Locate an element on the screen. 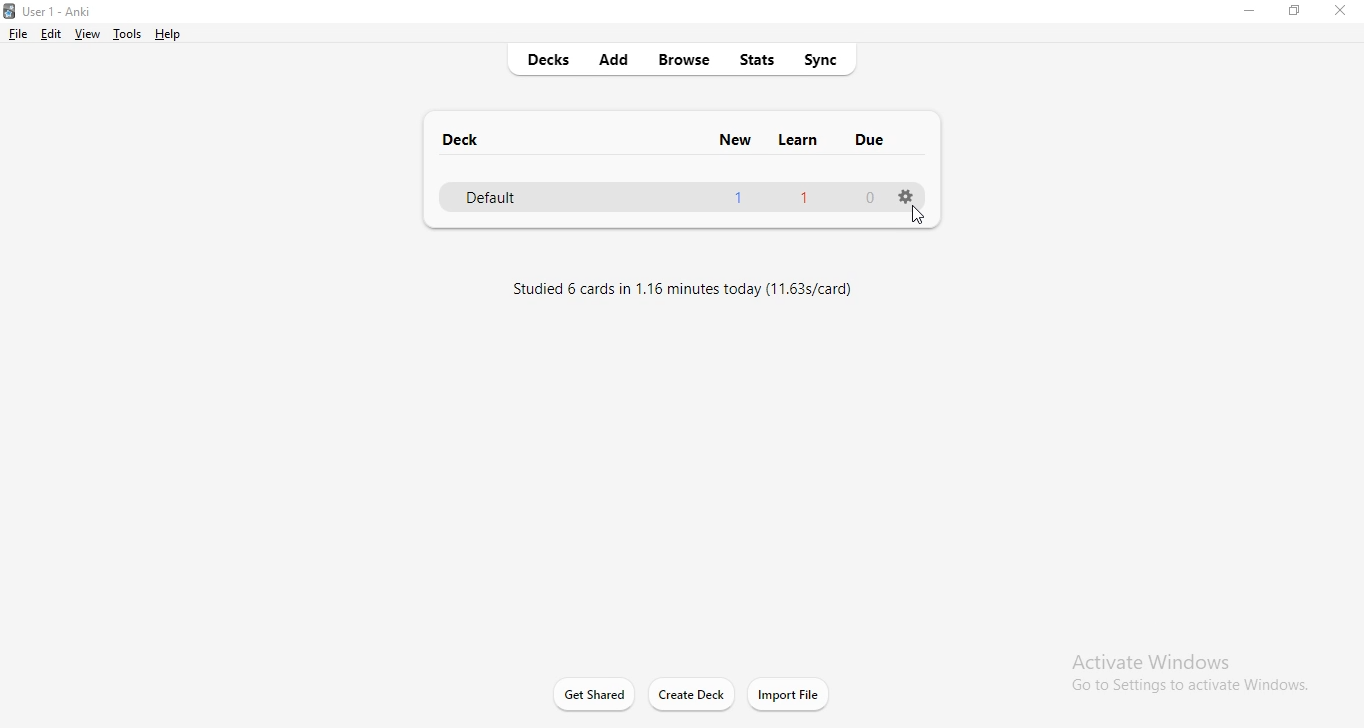 The width and height of the screenshot is (1364, 728). due is located at coordinates (870, 139).